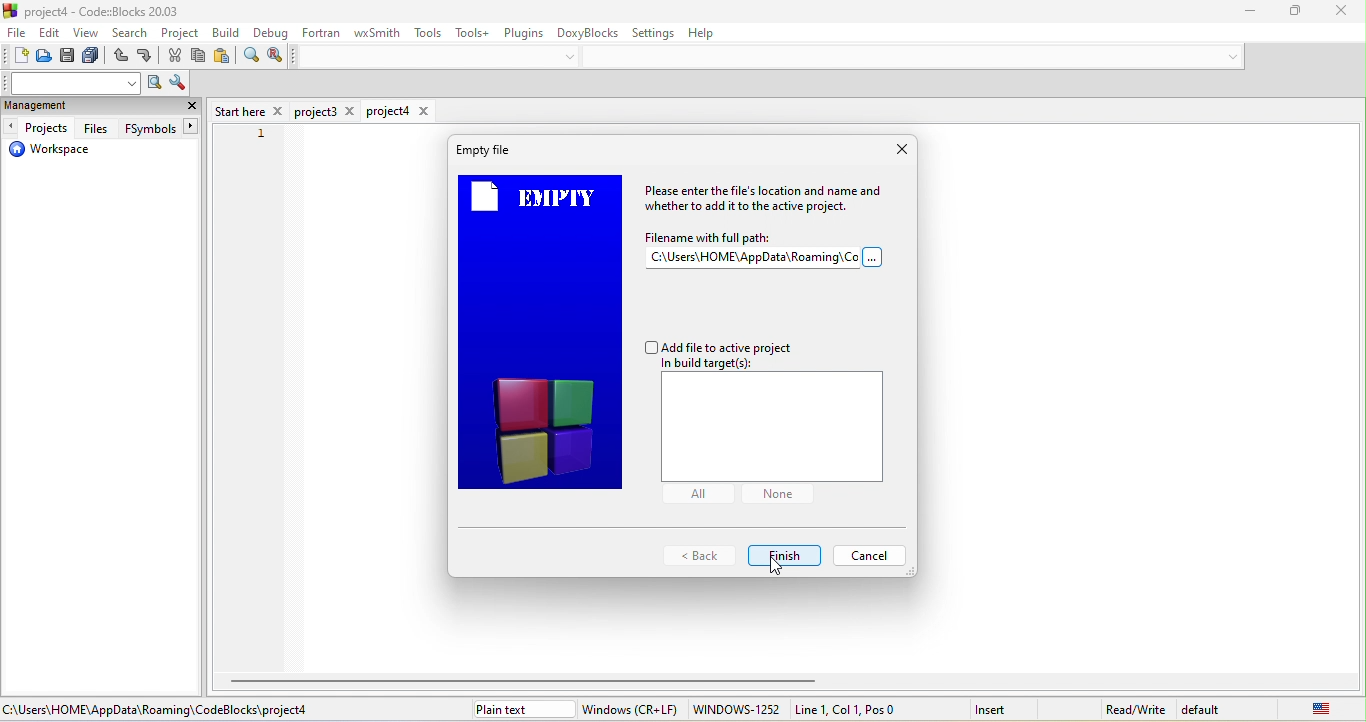 This screenshot has width=1366, height=722. What do you see at coordinates (631, 709) in the screenshot?
I see `window` at bounding box center [631, 709].